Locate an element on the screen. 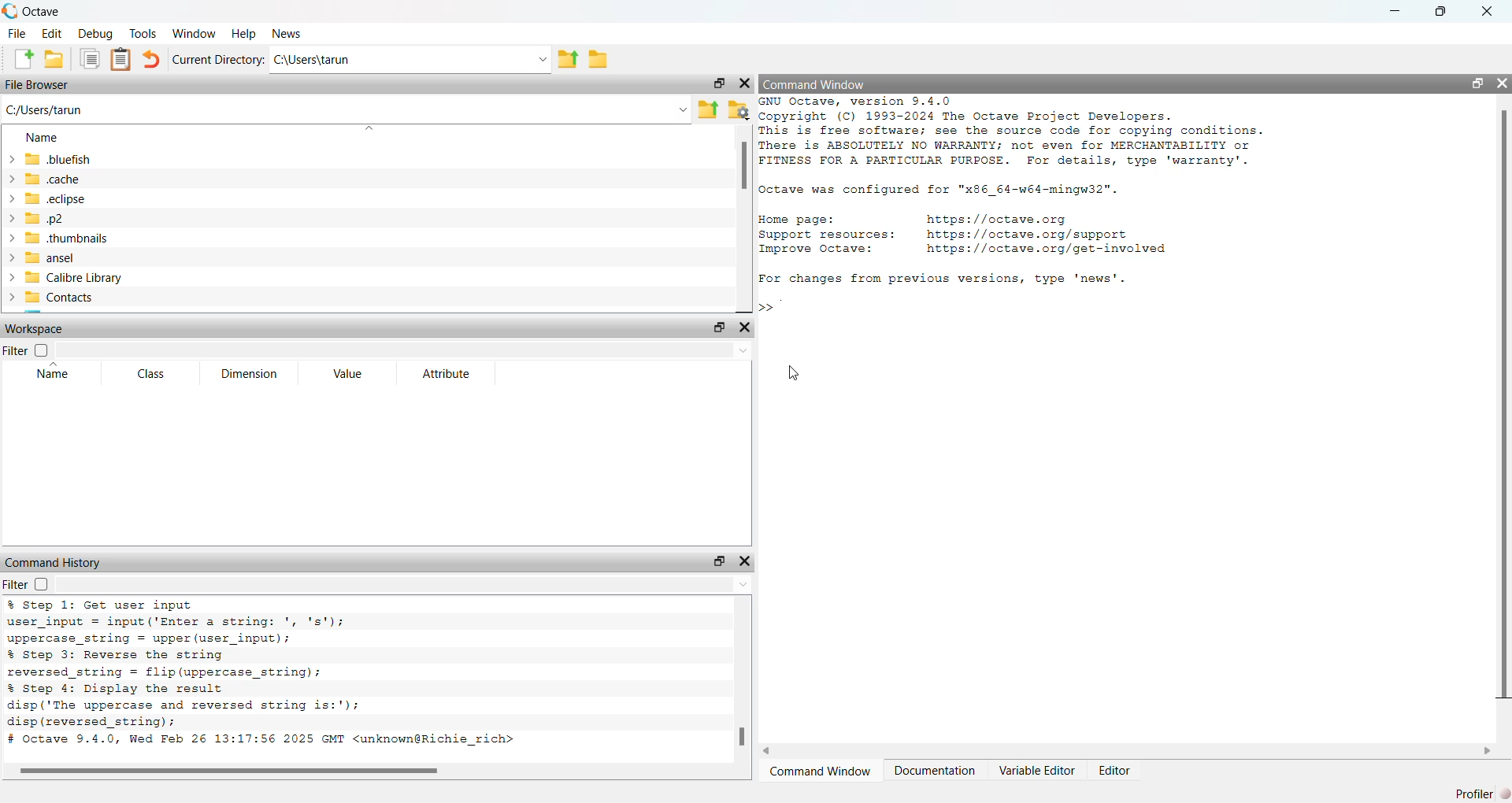 The image size is (1512, 803). browse your files is located at coordinates (739, 109).